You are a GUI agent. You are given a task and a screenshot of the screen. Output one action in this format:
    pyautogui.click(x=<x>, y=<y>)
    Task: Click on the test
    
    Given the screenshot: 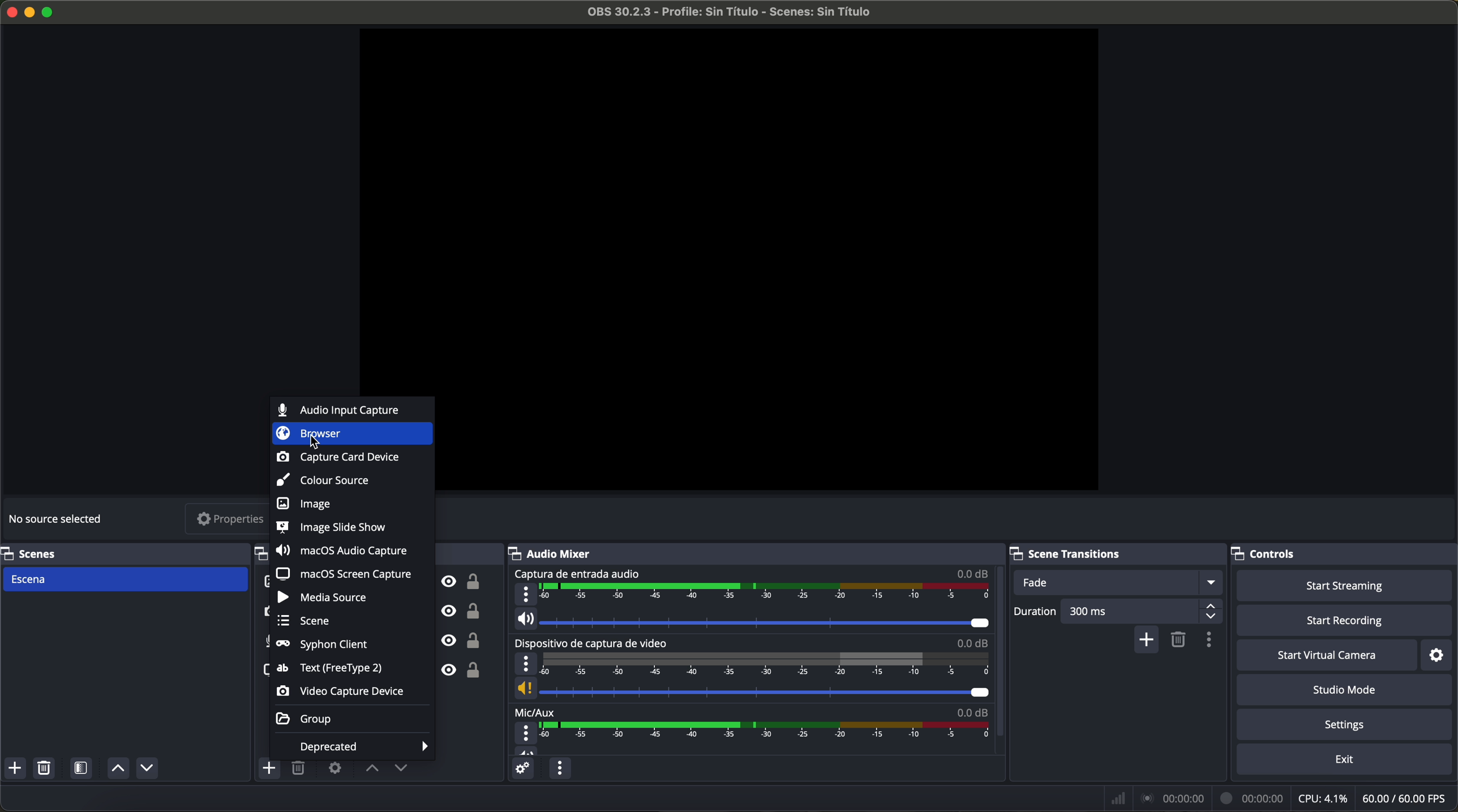 What is the action you would take?
    pyautogui.click(x=272, y=582)
    